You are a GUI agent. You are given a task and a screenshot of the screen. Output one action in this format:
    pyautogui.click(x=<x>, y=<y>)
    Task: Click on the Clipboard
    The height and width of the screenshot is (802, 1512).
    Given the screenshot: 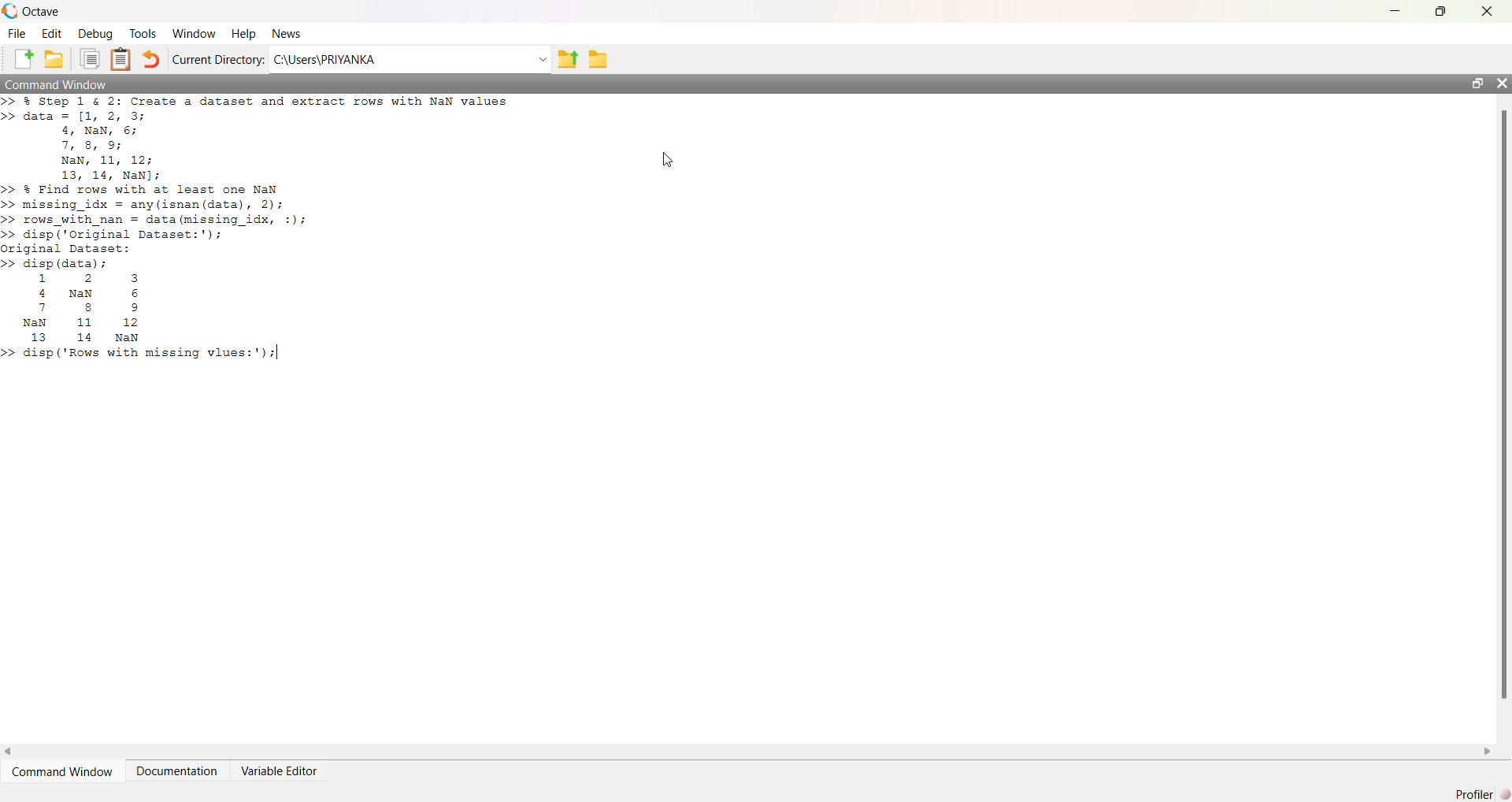 What is the action you would take?
    pyautogui.click(x=120, y=59)
    